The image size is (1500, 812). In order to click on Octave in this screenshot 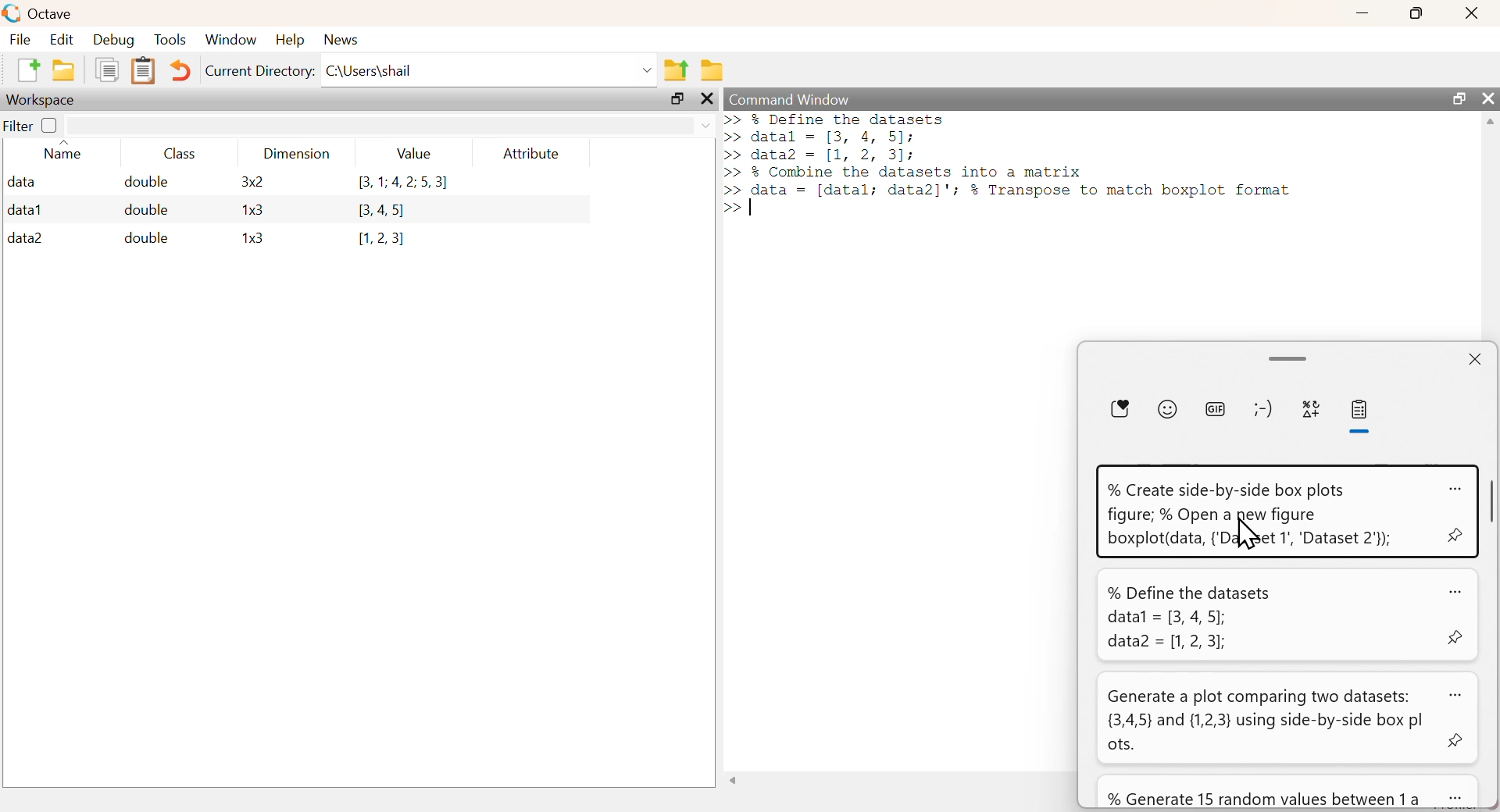, I will do `click(48, 14)`.